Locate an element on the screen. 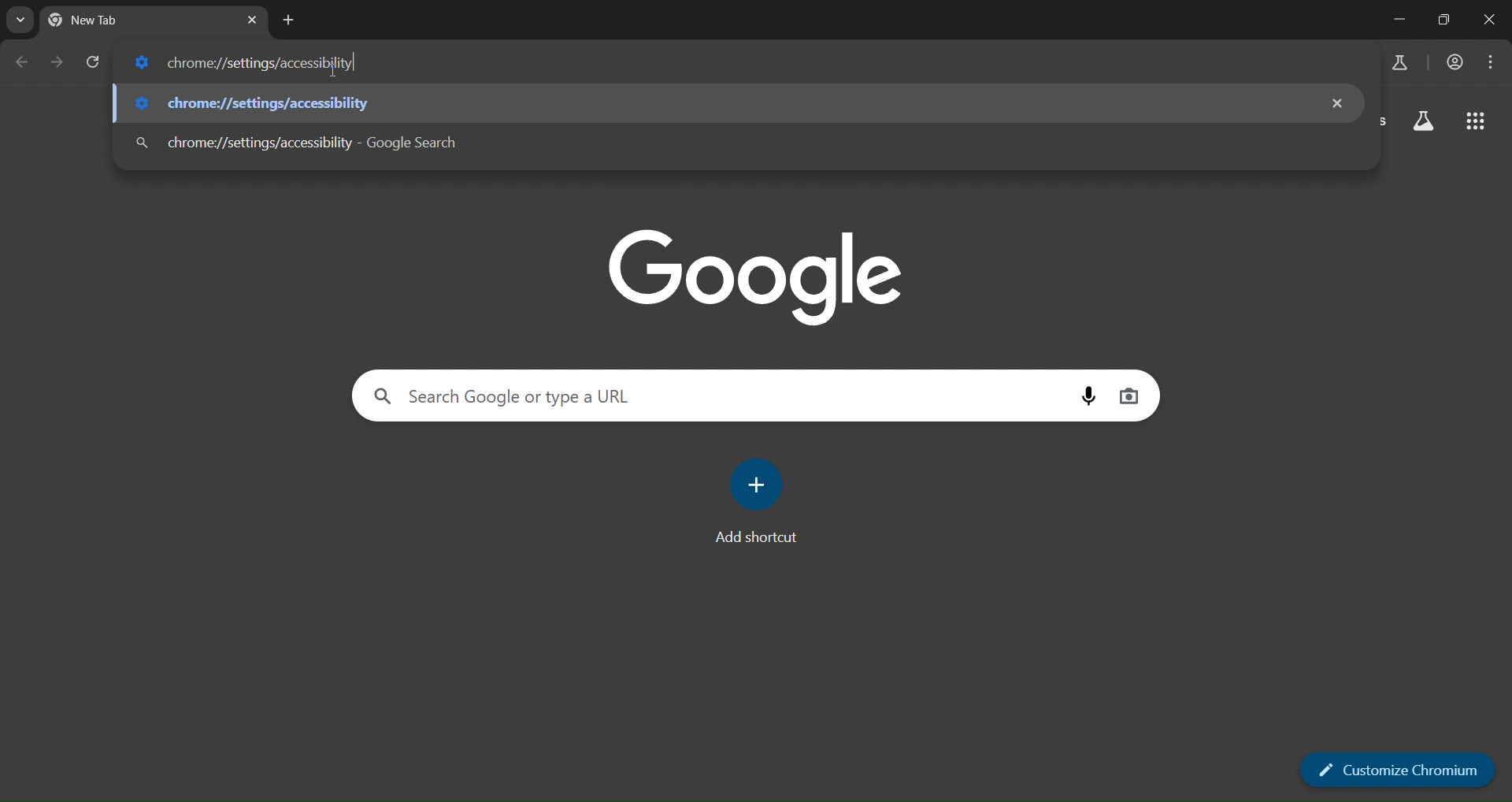 The height and width of the screenshot is (802, 1512). image search is located at coordinates (1134, 398).